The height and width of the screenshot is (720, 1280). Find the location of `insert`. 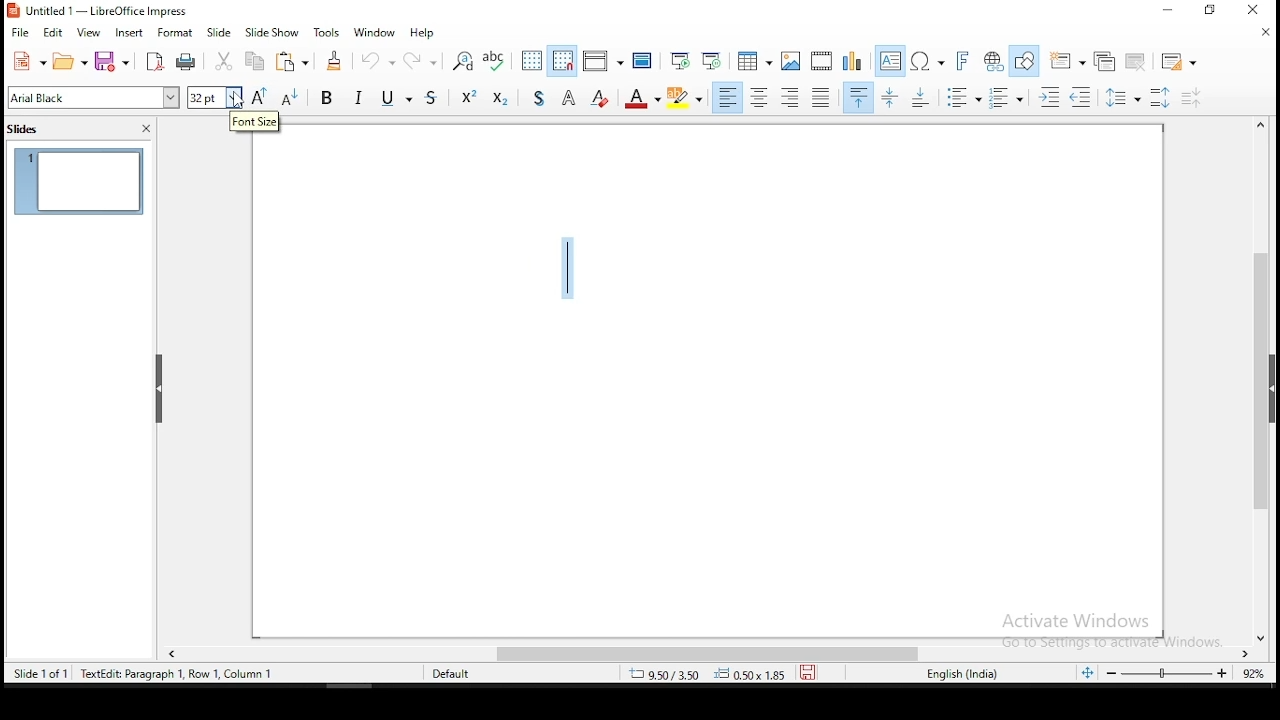

insert is located at coordinates (128, 34).